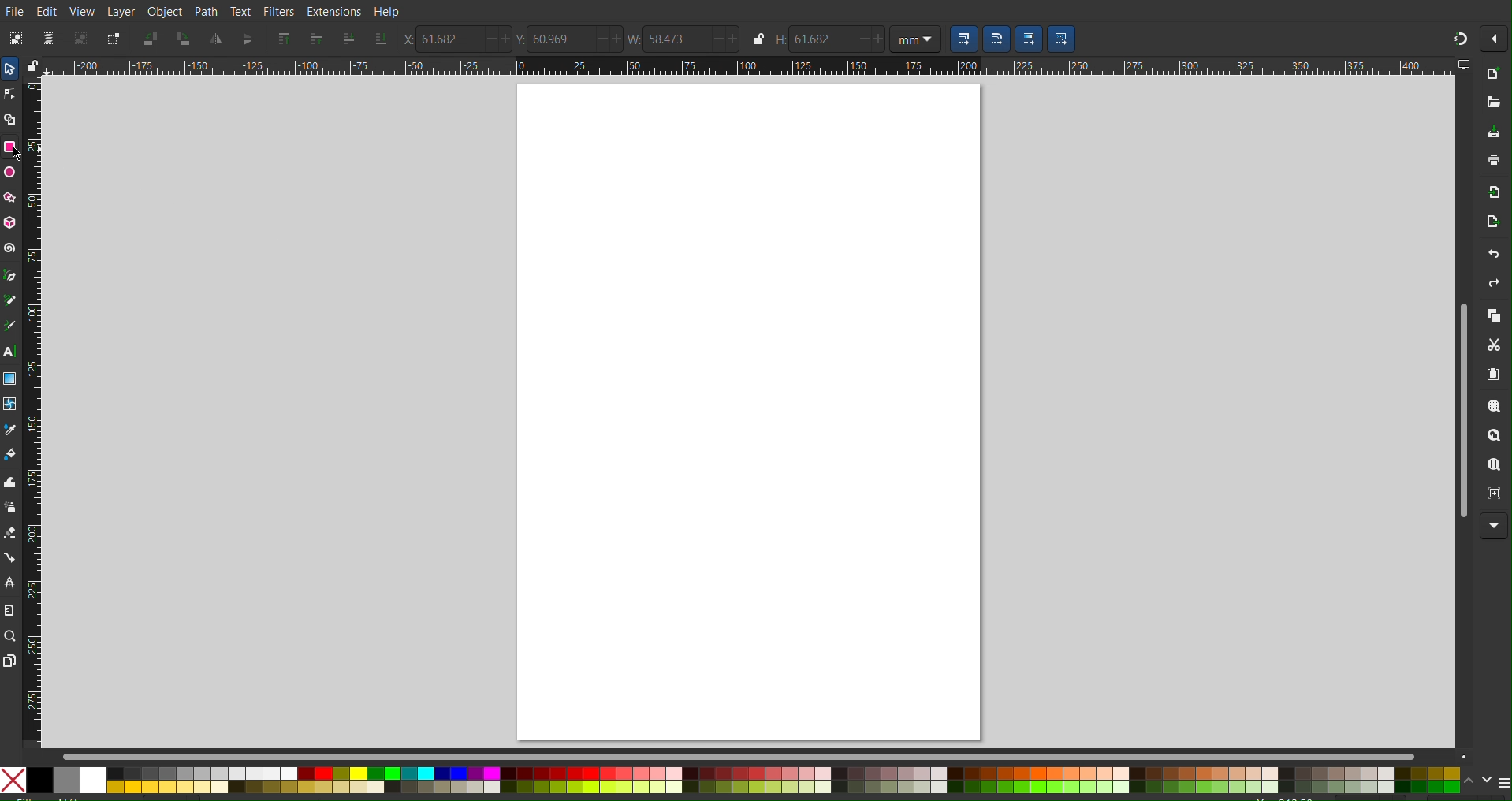 The height and width of the screenshot is (801, 1512). What do you see at coordinates (963, 39) in the screenshot?
I see `Scaling Option 1` at bounding box center [963, 39].